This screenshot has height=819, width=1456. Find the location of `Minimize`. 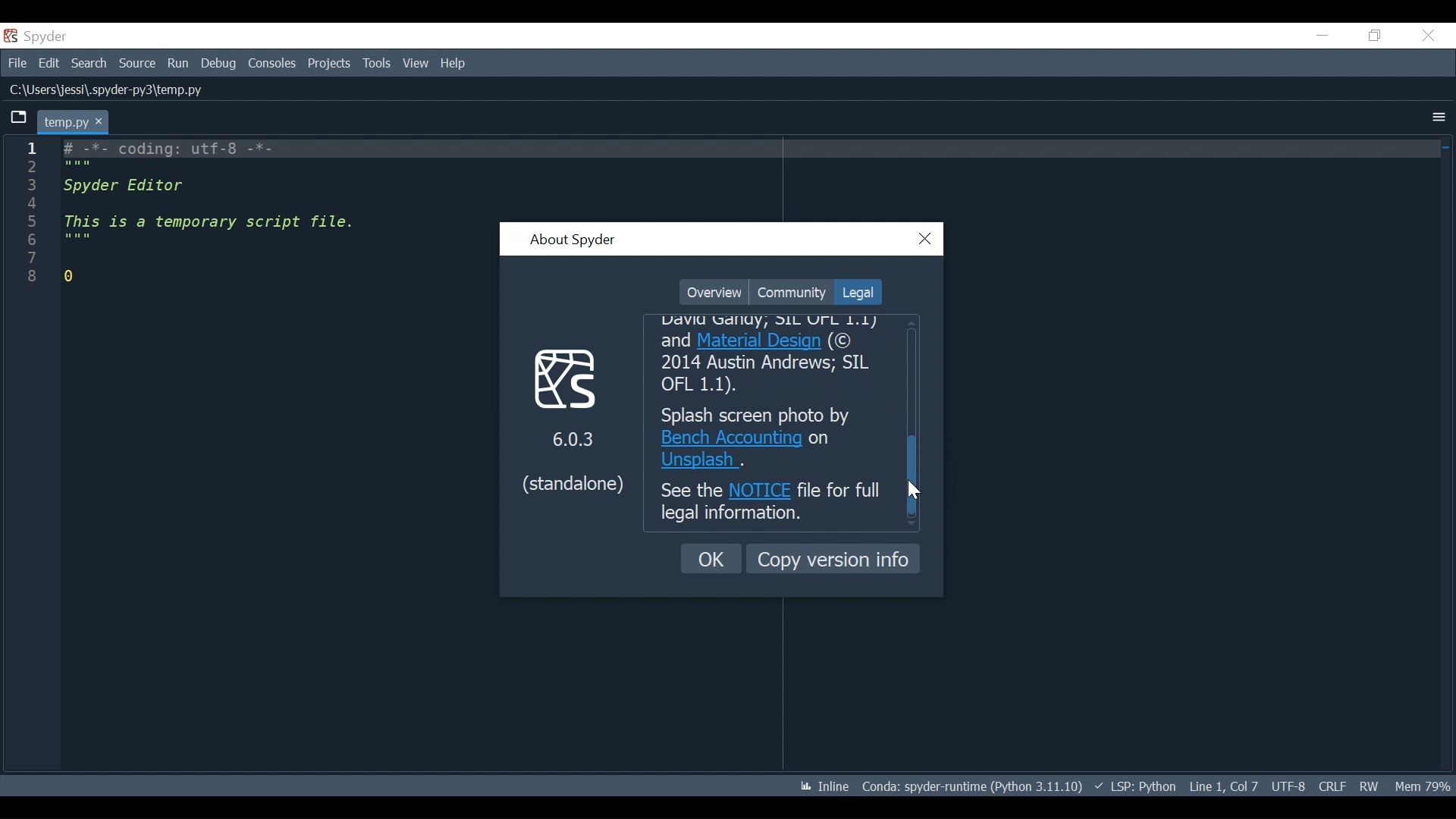

Minimize is located at coordinates (1322, 35).